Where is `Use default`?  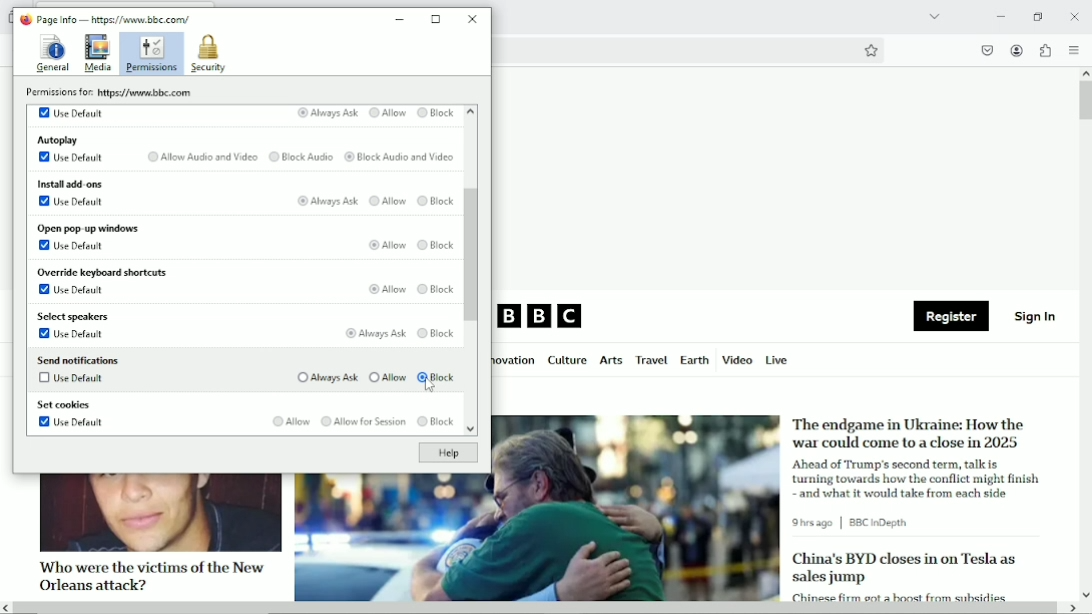 Use default is located at coordinates (73, 335).